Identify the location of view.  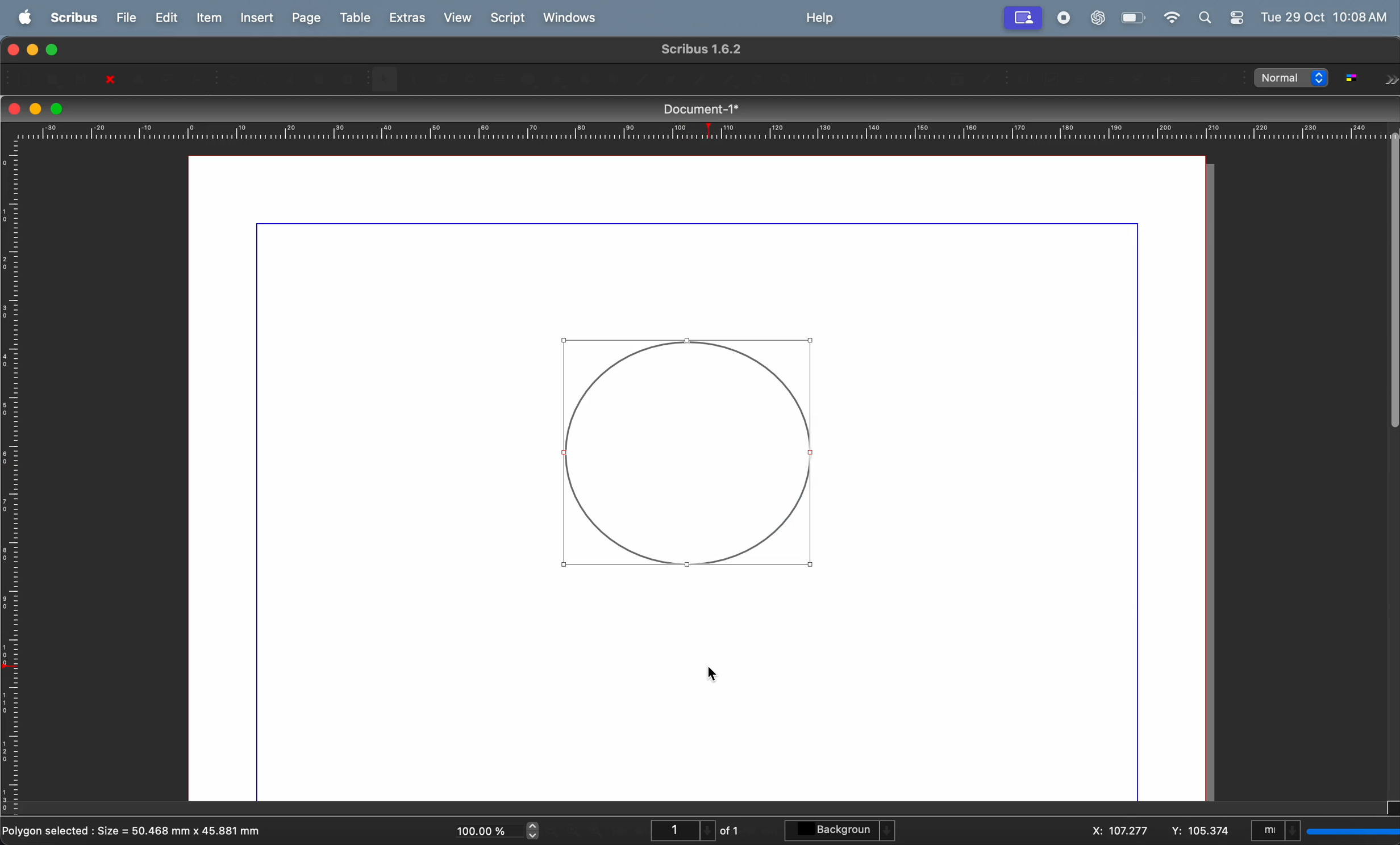
(458, 18).